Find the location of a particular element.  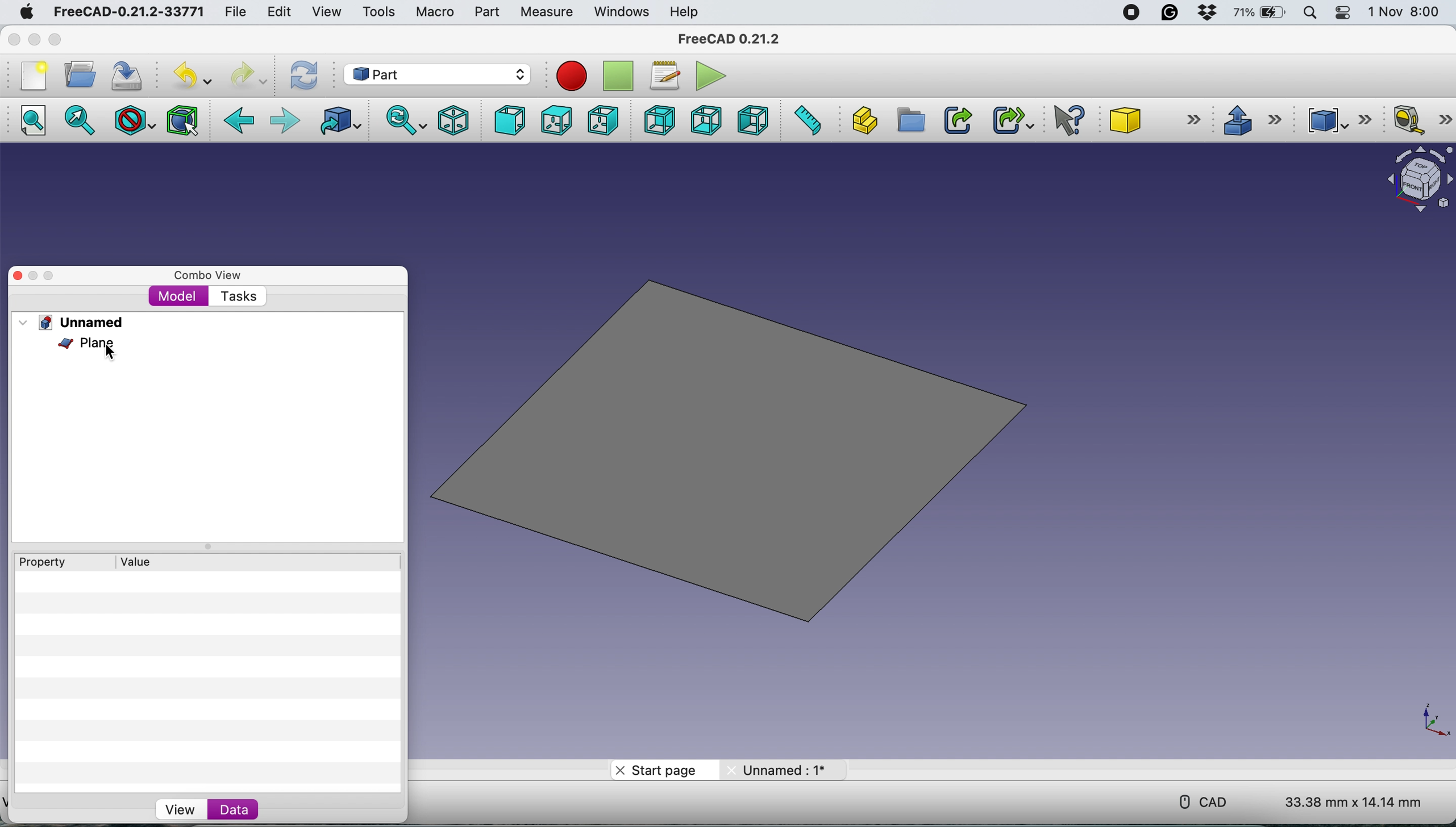

tasks is located at coordinates (242, 297).